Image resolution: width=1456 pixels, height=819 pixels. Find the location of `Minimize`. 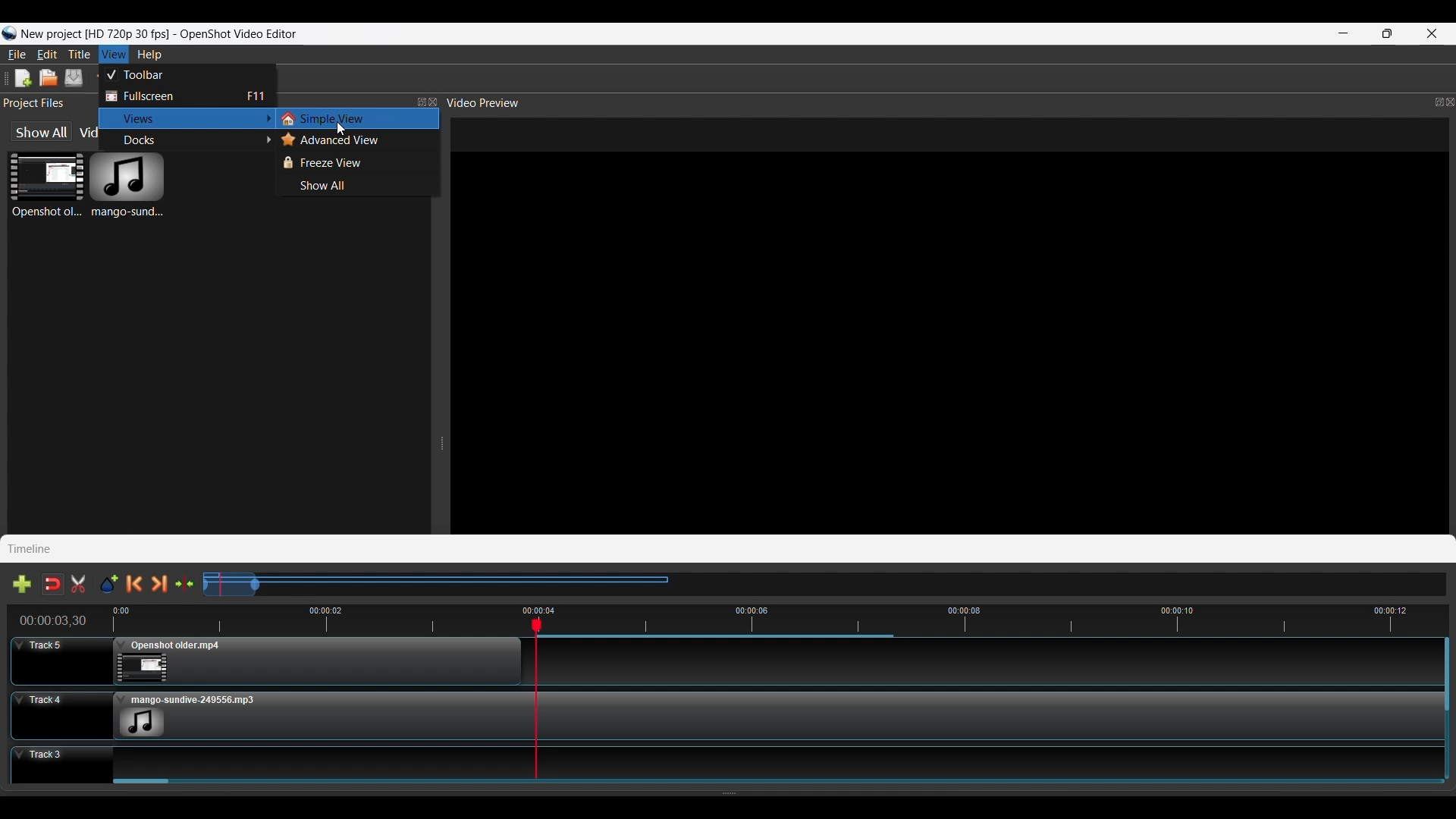

Minimize is located at coordinates (1344, 33).